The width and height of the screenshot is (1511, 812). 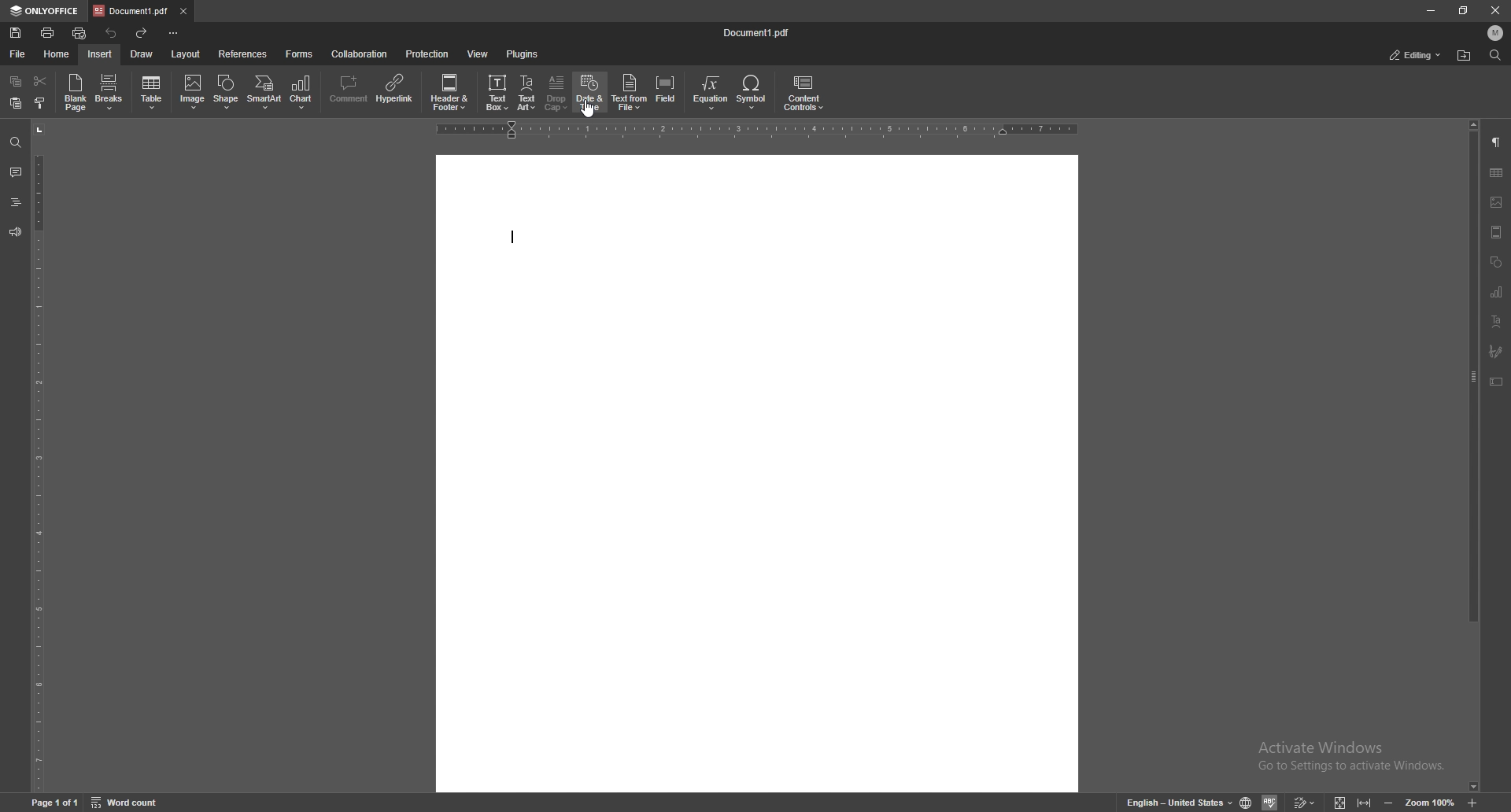 What do you see at coordinates (183, 11) in the screenshot?
I see `close tab` at bounding box center [183, 11].